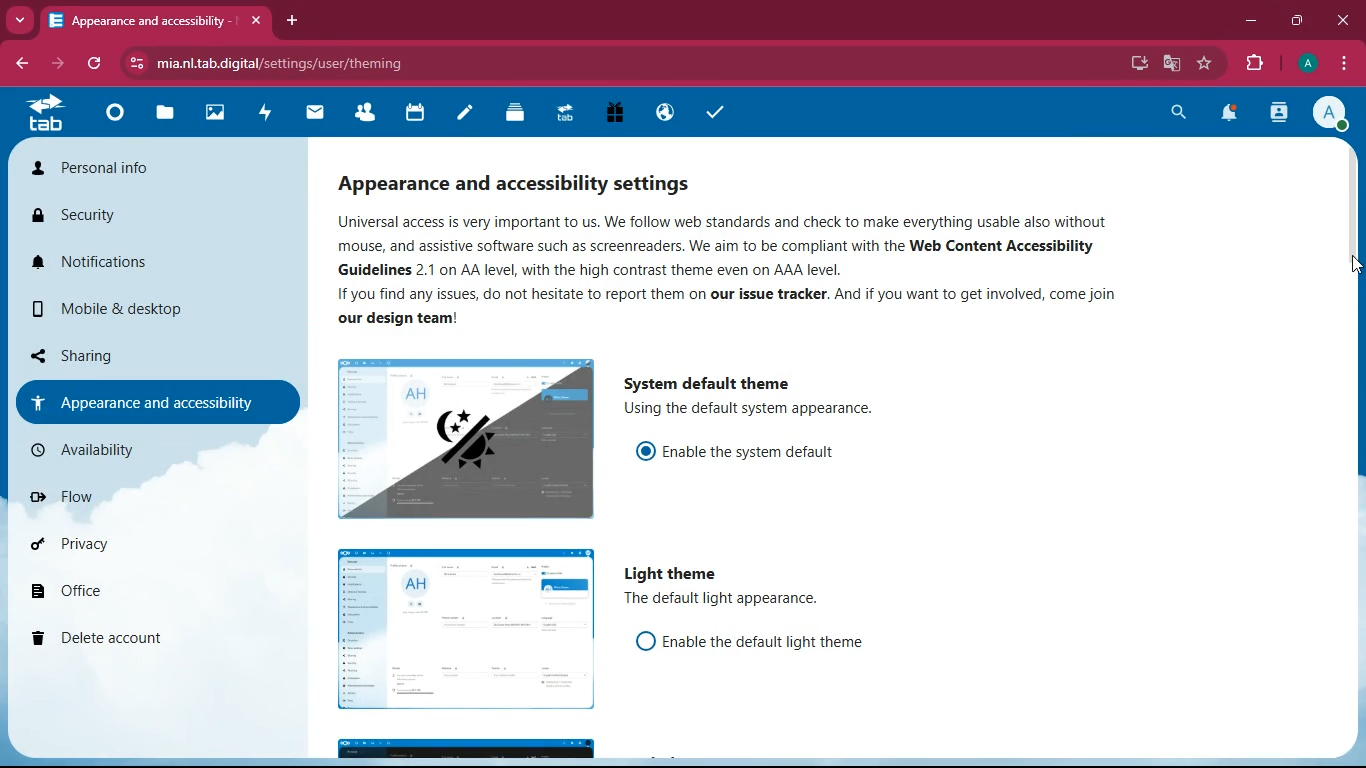 The height and width of the screenshot is (768, 1366). I want to click on description, so click(728, 600).